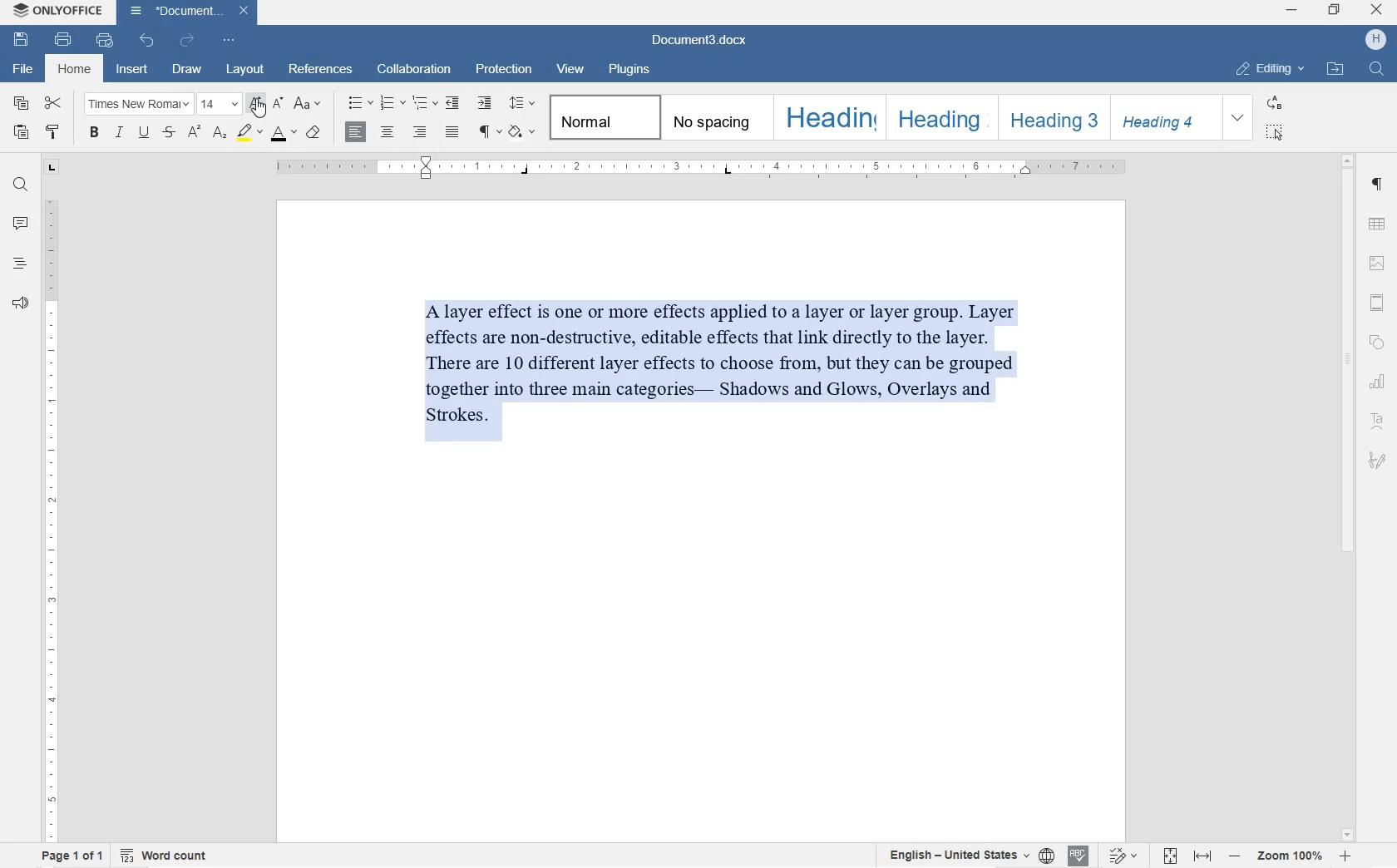 Image resolution: width=1397 pixels, height=868 pixels. Describe the element at coordinates (1275, 133) in the screenshot. I see `SELECT ALL` at that location.